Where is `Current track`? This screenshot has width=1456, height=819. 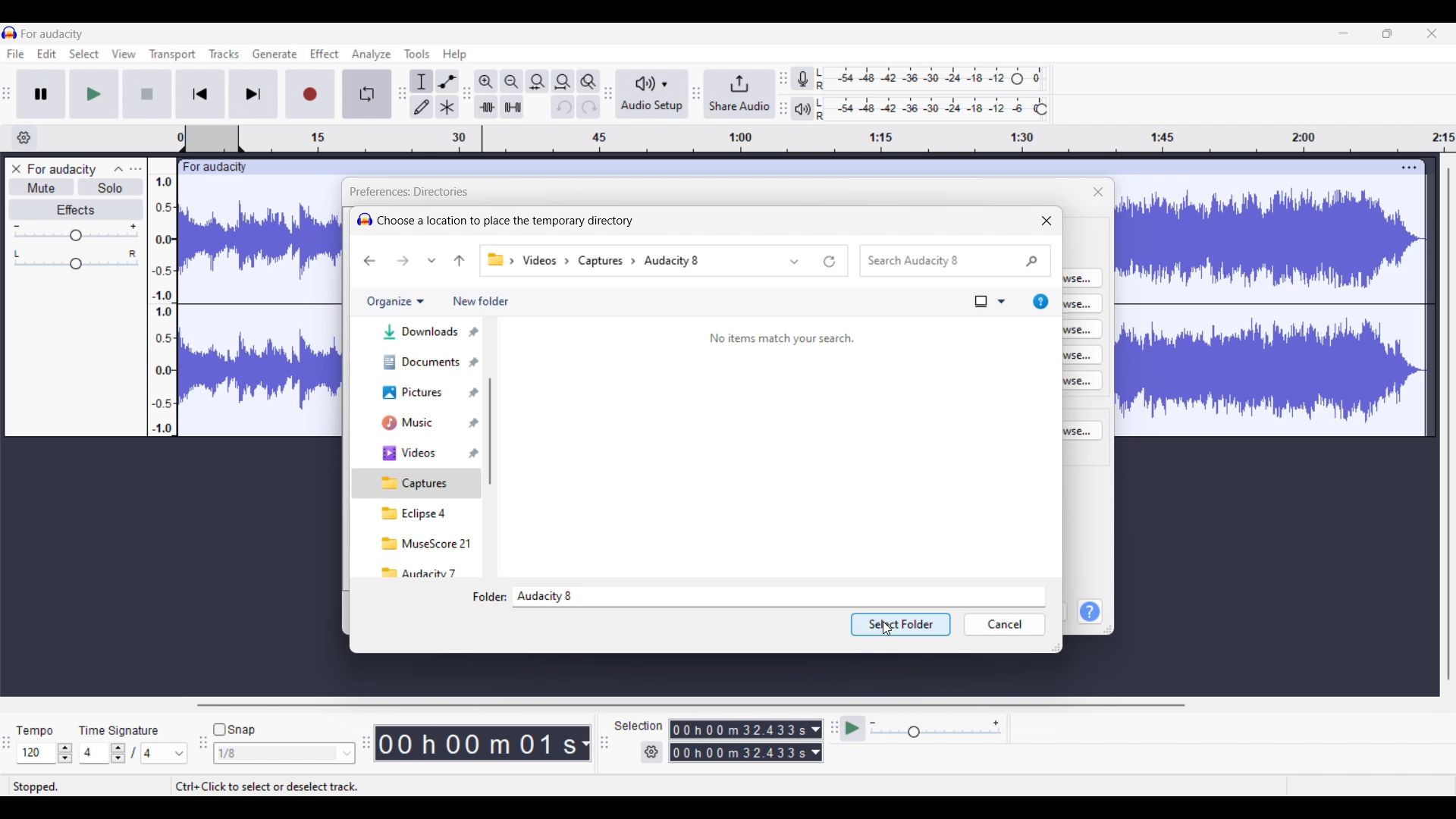
Current track is located at coordinates (1257, 297).